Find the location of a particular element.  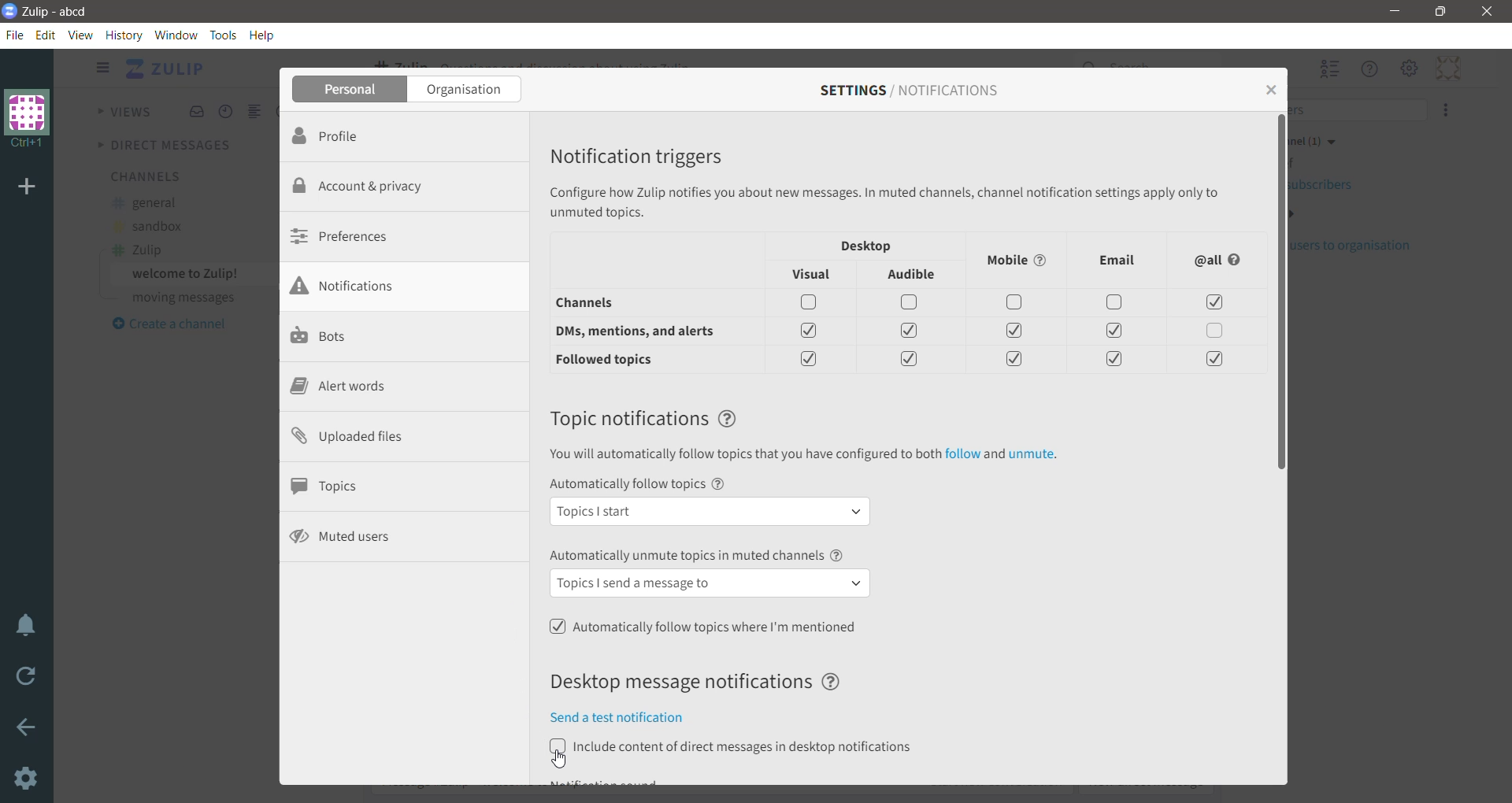

Muted users is located at coordinates (344, 536).